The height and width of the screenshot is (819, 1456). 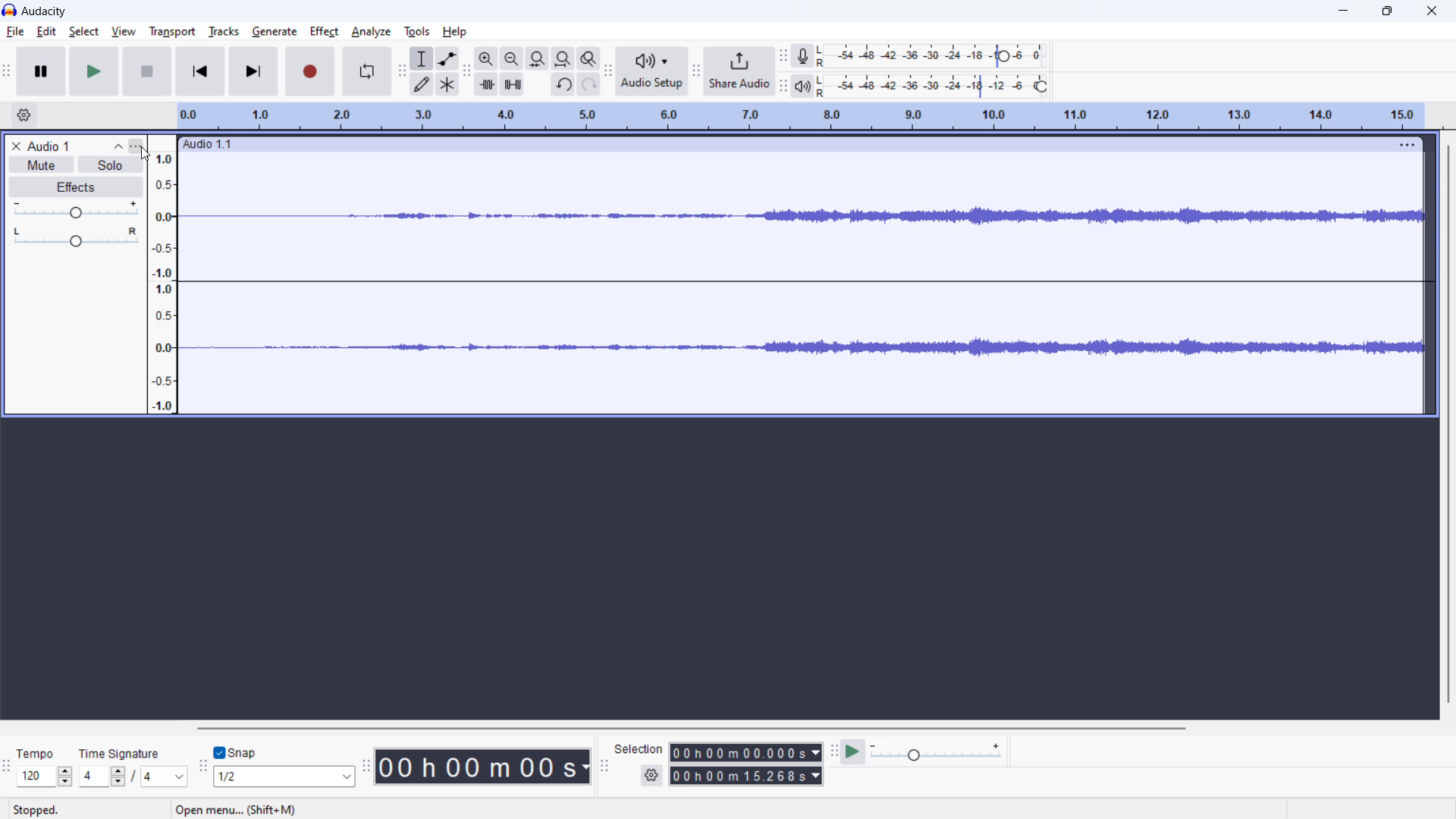 What do you see at coordinates (511, 58) in the screenshot?
I see `zoom out` at bounding box center [511, 58].